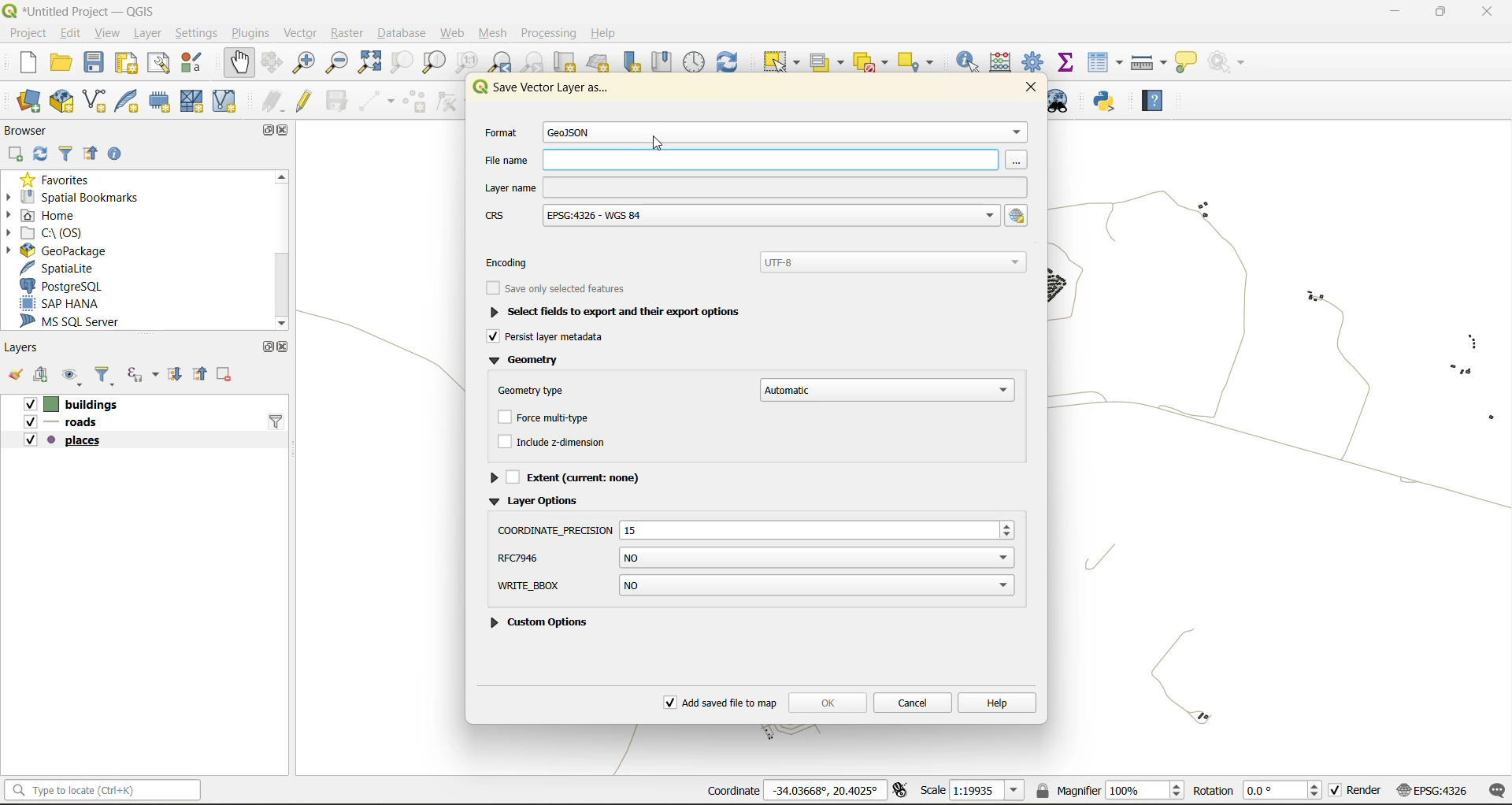 Image resolution: width=1512 pixels, height=805 pixels. What do you see at coordinates (754, 531) in the screenshot?
I see `coordinate precision` at bounding box center [754, 531].